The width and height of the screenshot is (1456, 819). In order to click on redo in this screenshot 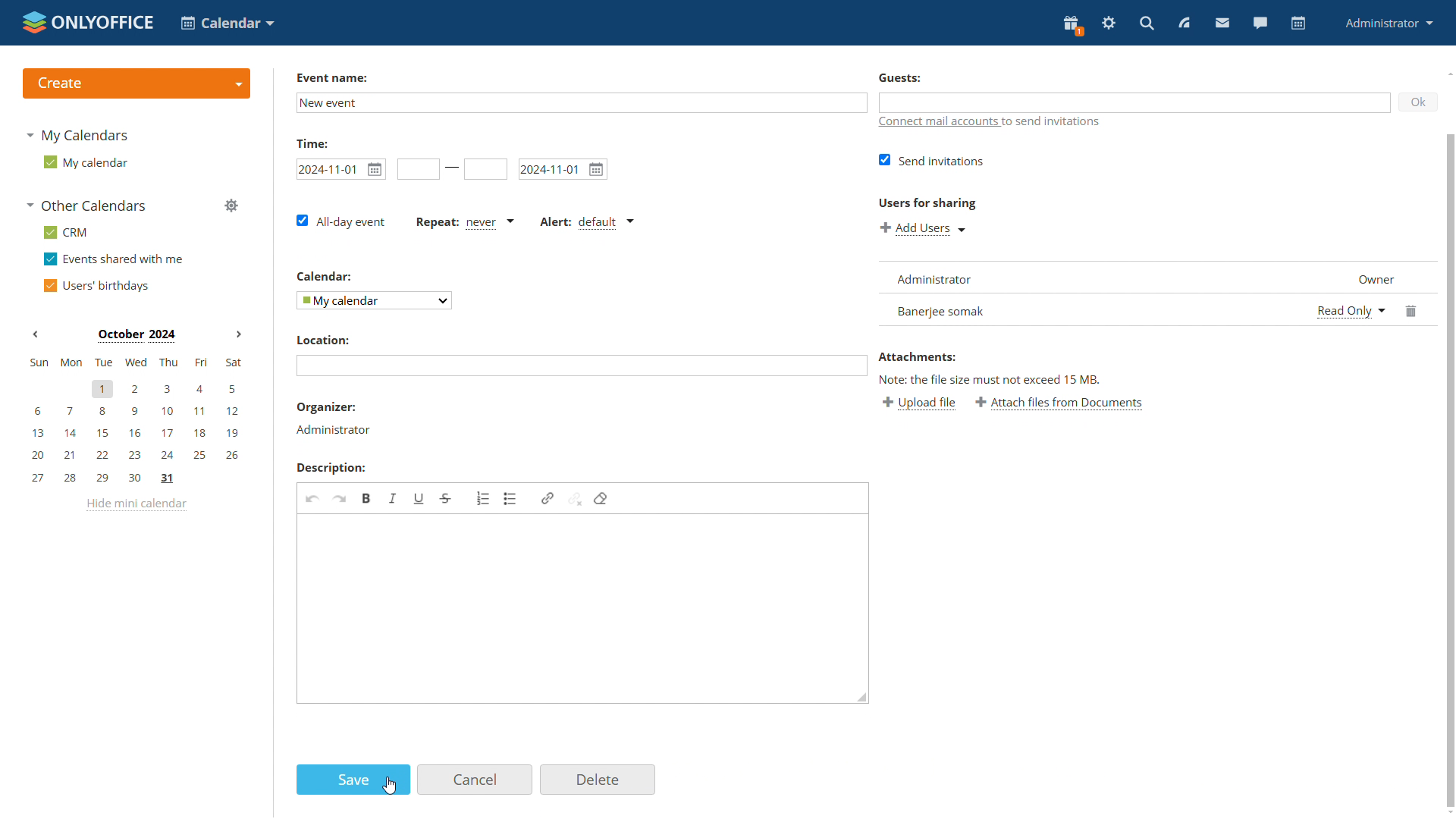, I will do `click(340, 499)`.